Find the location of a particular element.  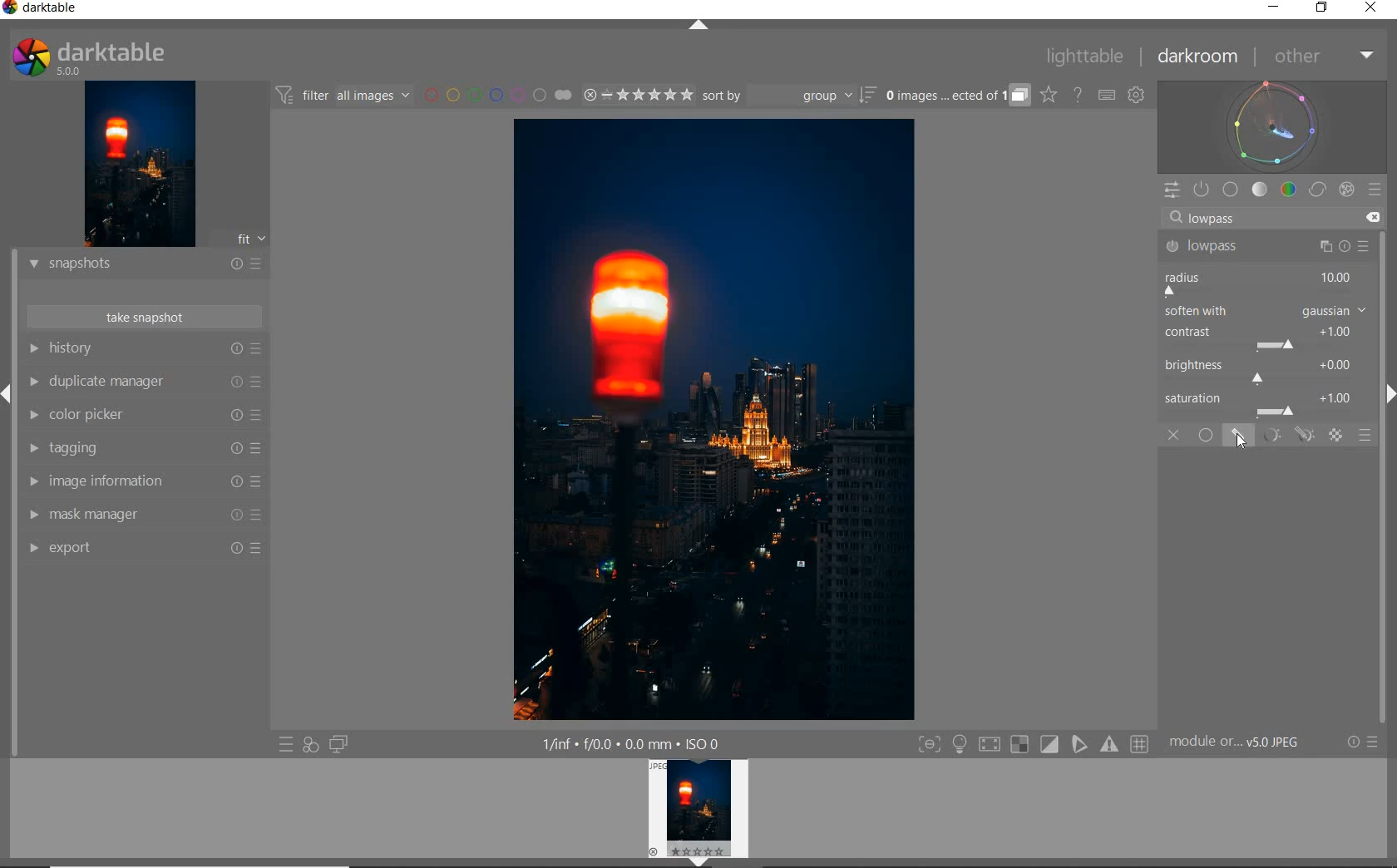

EXPORT is located at coordinates (112, 547).